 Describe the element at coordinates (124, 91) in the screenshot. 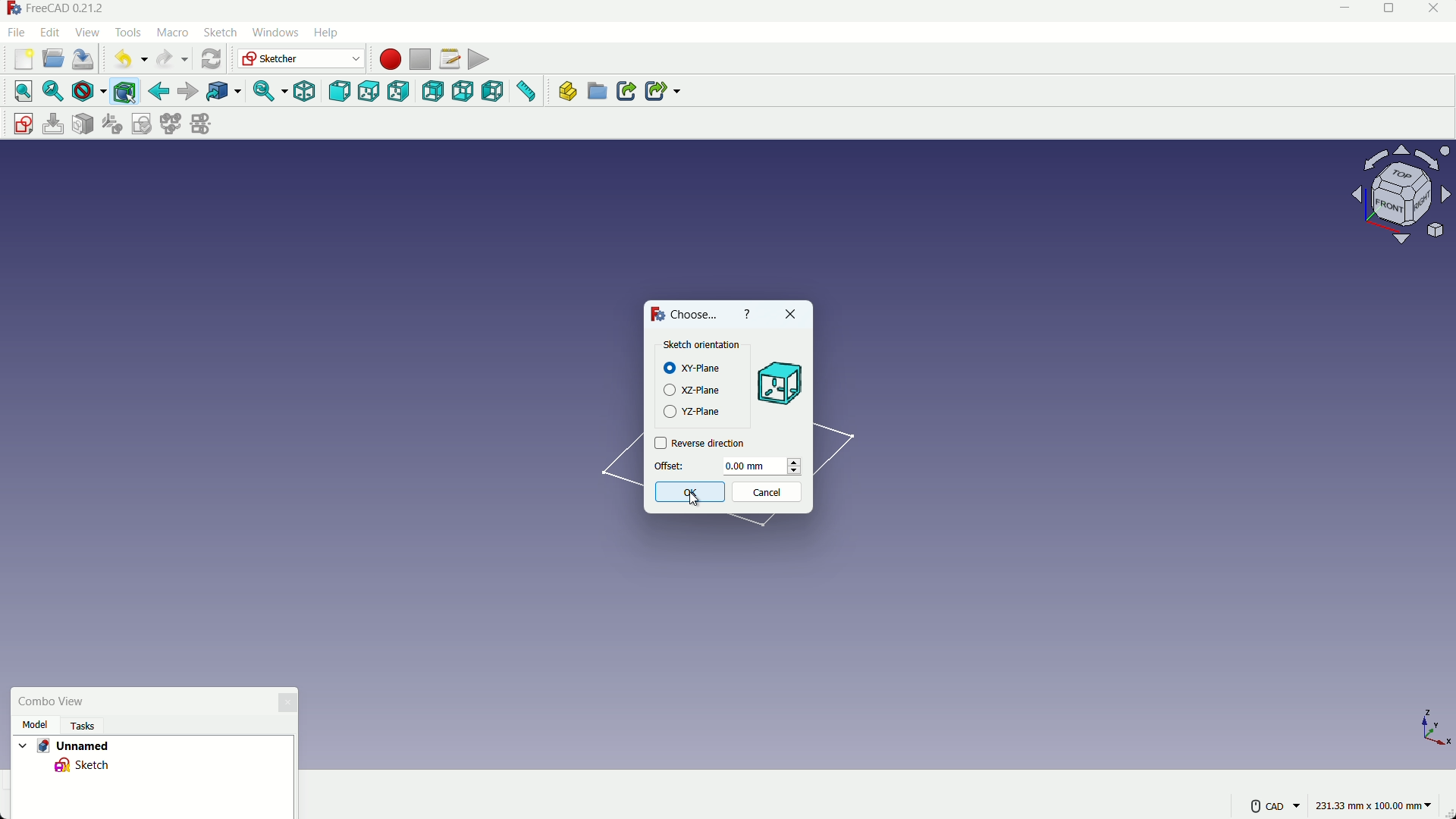

I see `bounding box` at that location.